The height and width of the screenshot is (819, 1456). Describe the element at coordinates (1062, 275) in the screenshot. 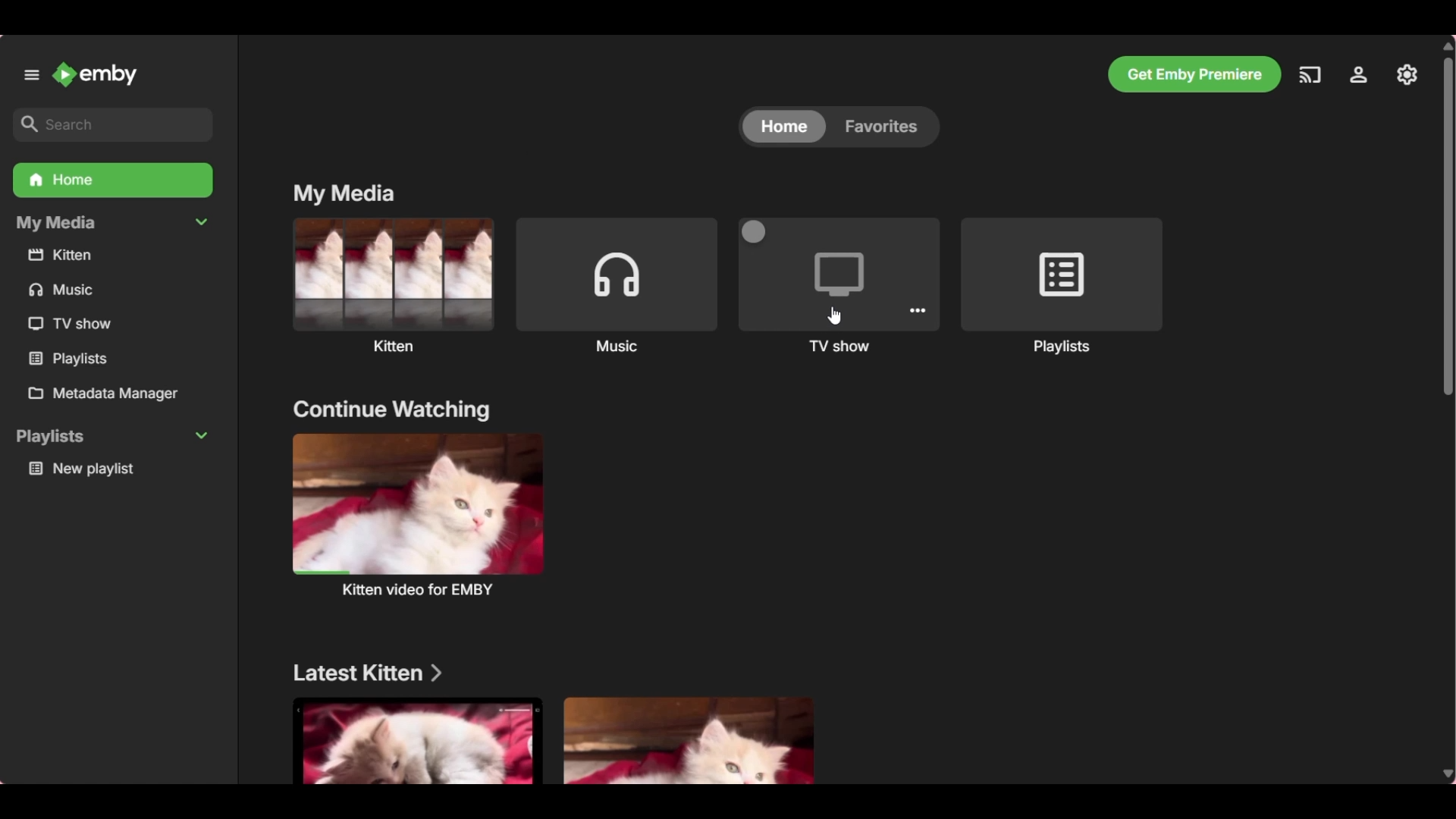

I see `Playlists` at that location.